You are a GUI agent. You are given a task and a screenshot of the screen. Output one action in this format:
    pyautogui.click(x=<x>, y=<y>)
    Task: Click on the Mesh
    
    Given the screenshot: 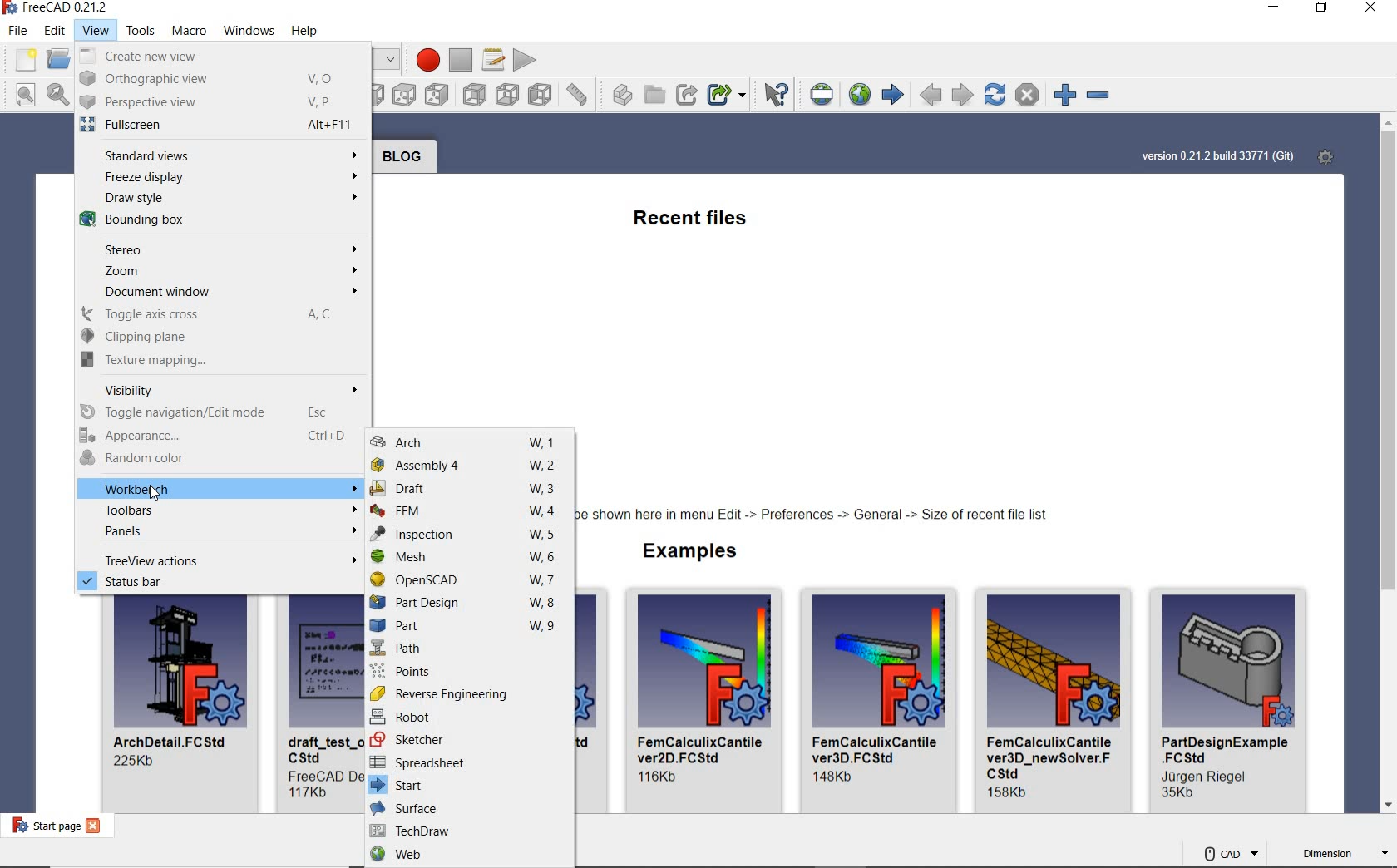 What is the action you would take?
    pyautogui.click(x=465, y=558)
    